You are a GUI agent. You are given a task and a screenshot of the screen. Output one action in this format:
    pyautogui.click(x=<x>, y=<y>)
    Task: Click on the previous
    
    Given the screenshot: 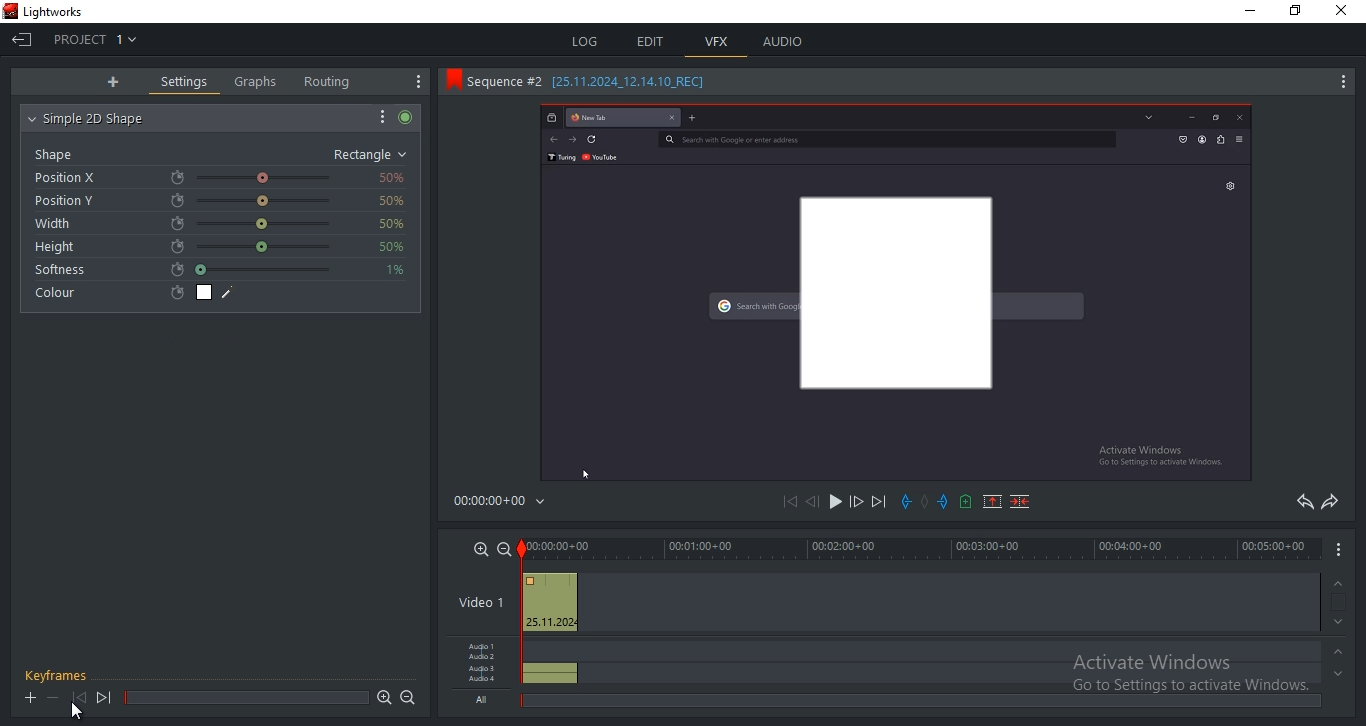 What is the action you would take?
    pyautogui.click(x=79, y=696)
    